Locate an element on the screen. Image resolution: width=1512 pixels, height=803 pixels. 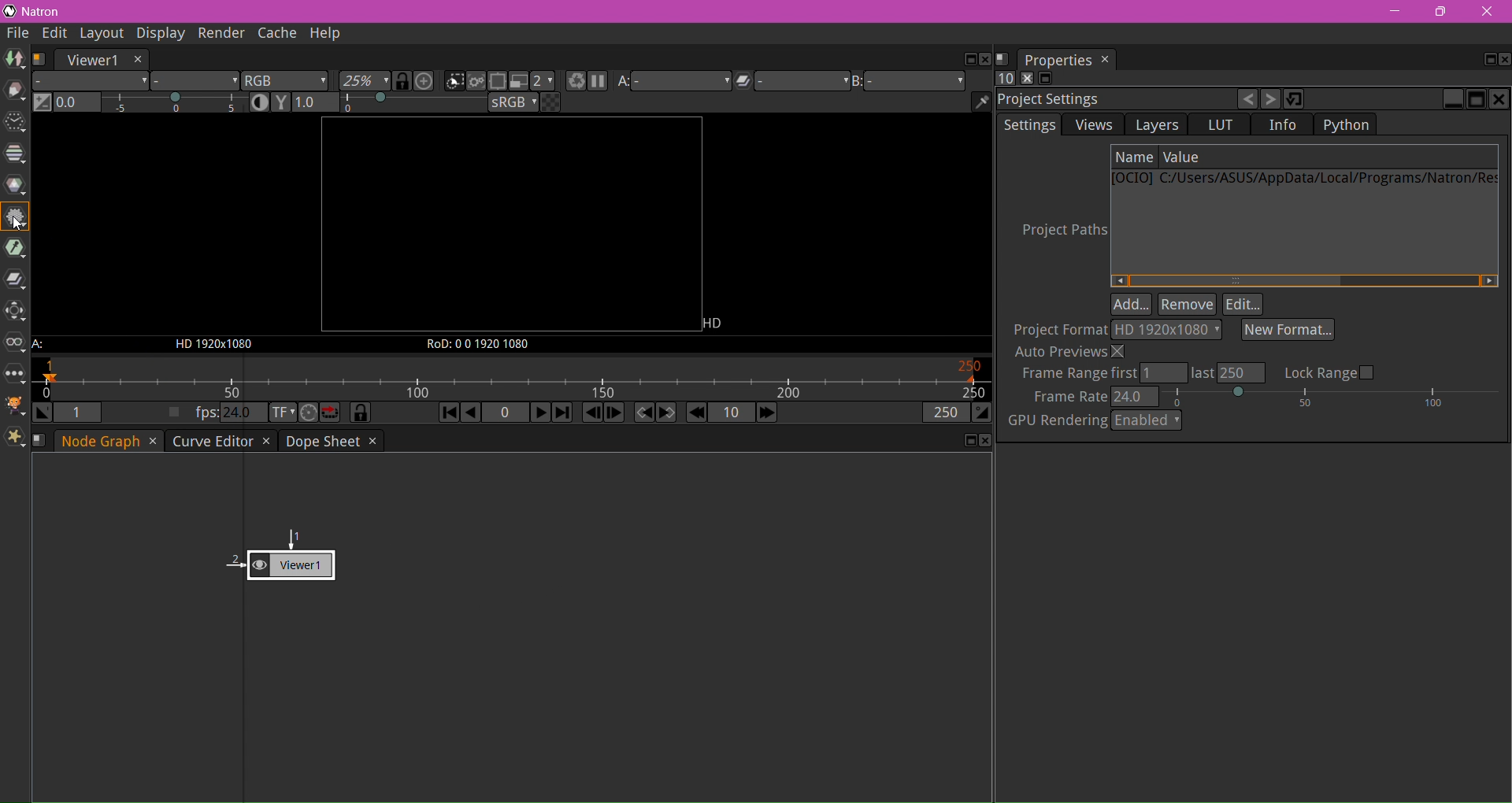
Close Tab is located at coordinates (138, 59).